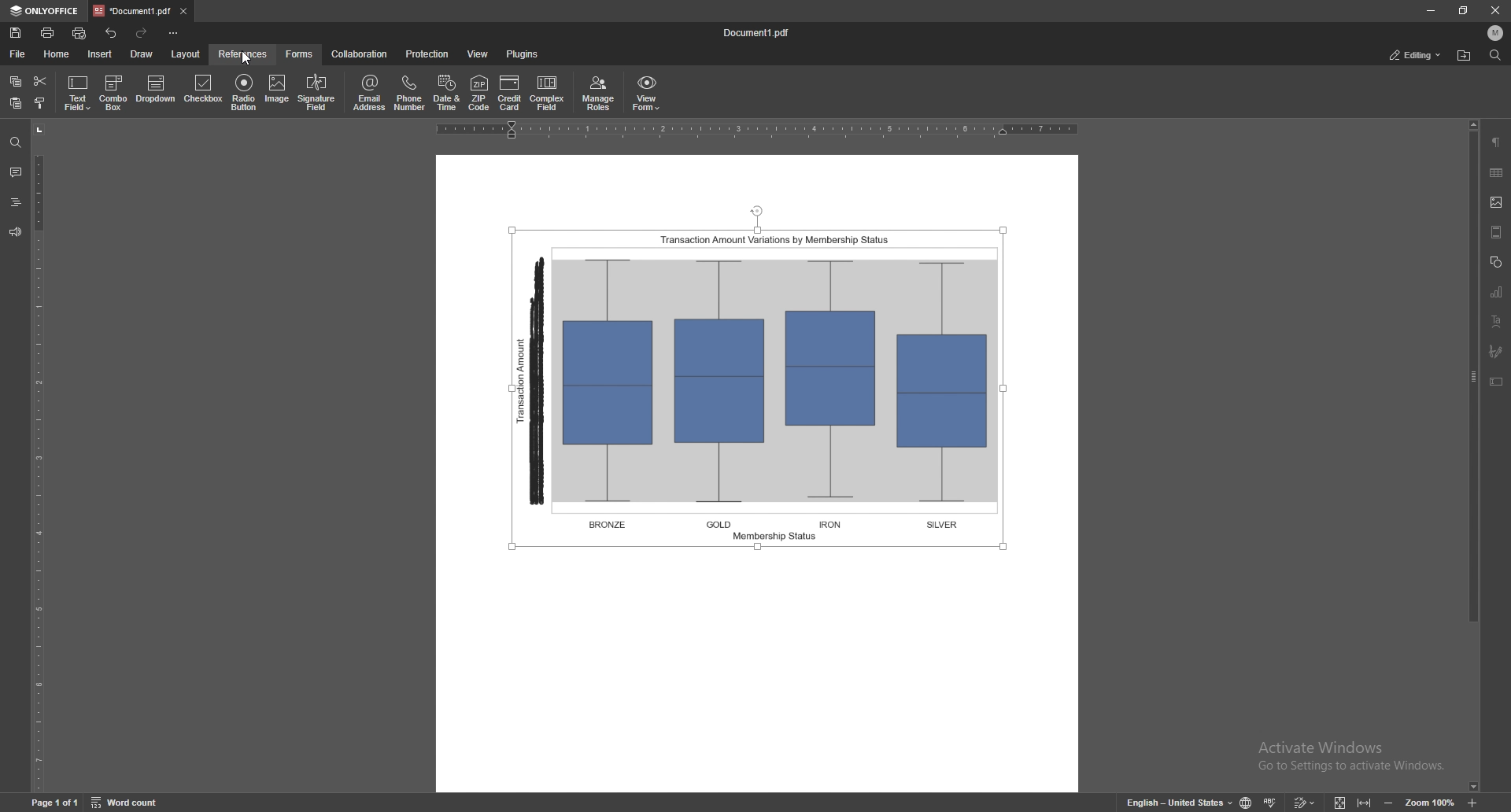 This screenshot has height=812, width=1511. Describe the element at coordinates (243, 92) in the screenshot. I see `radio button` at that location.